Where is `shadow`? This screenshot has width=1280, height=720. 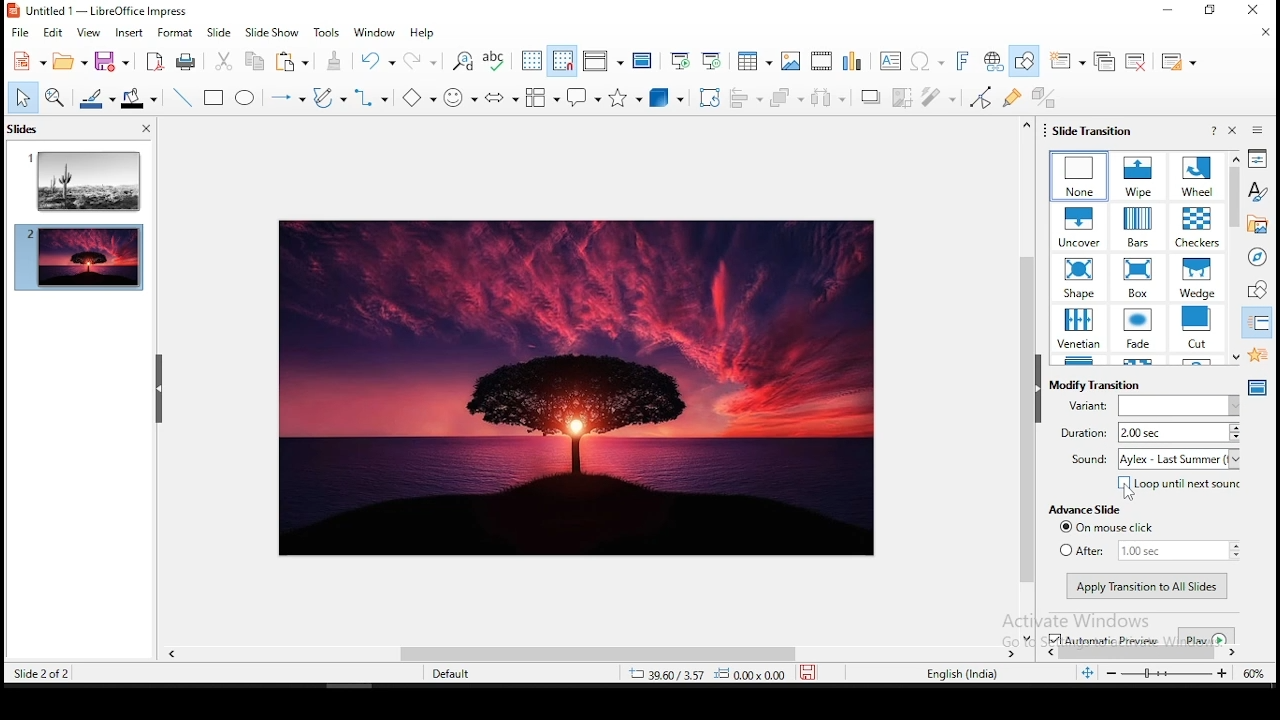 shadow is located at coordinates (871, 96).